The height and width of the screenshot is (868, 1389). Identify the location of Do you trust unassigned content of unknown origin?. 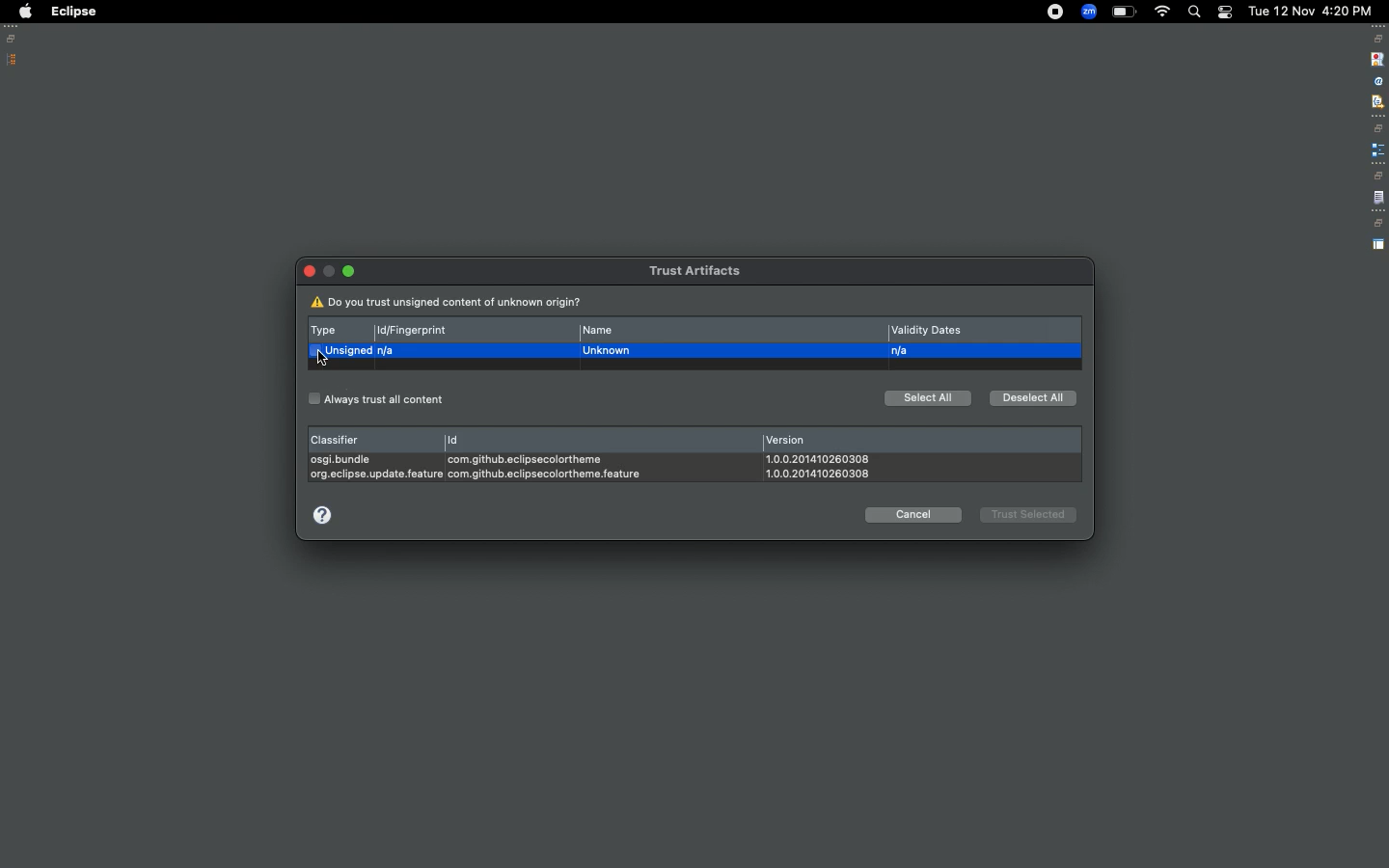
(451, 303).